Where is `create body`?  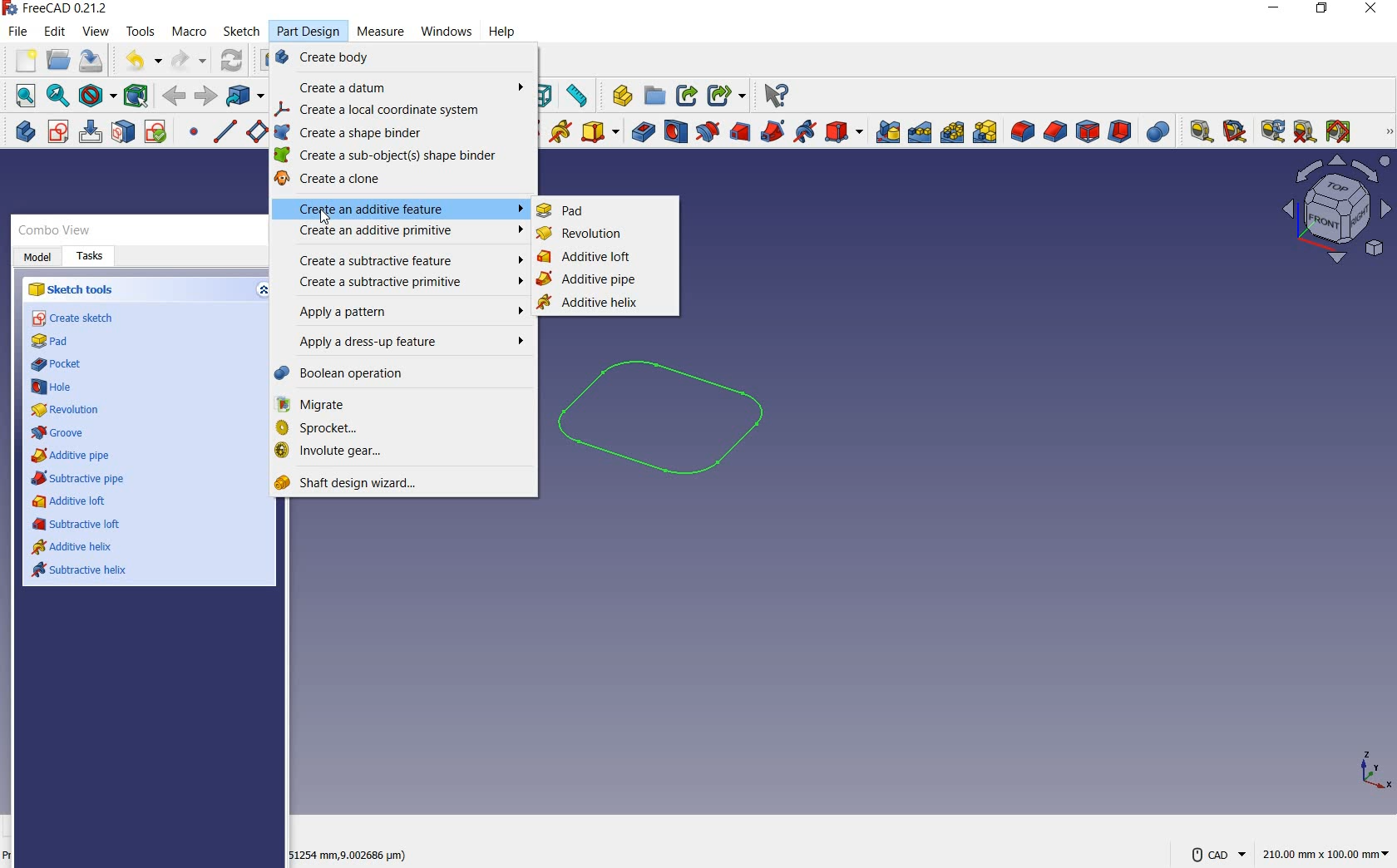
create body is located at coordinates (21, 133).